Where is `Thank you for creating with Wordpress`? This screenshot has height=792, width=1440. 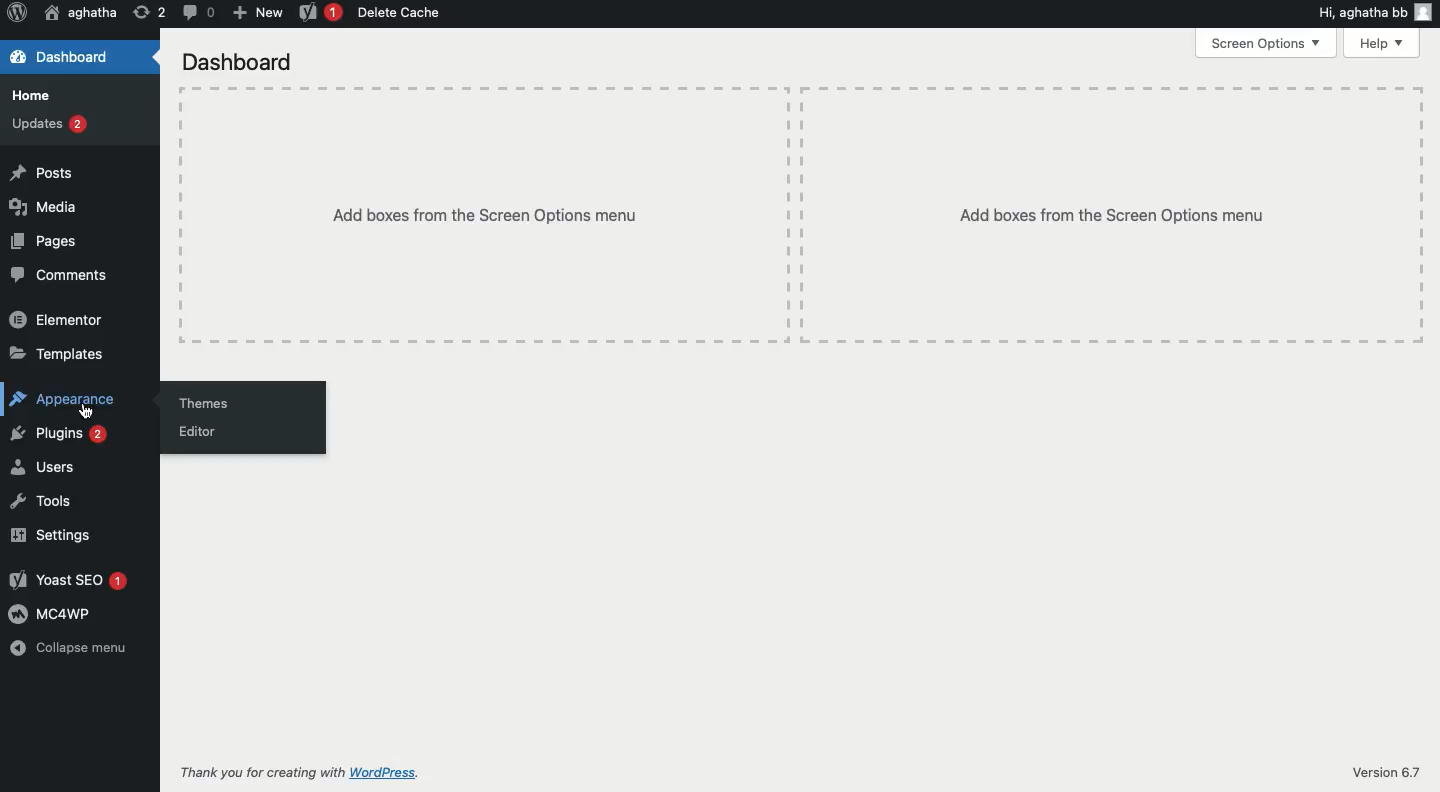 Thank you for creating with Wordpress is located at coordinates (298, 773).